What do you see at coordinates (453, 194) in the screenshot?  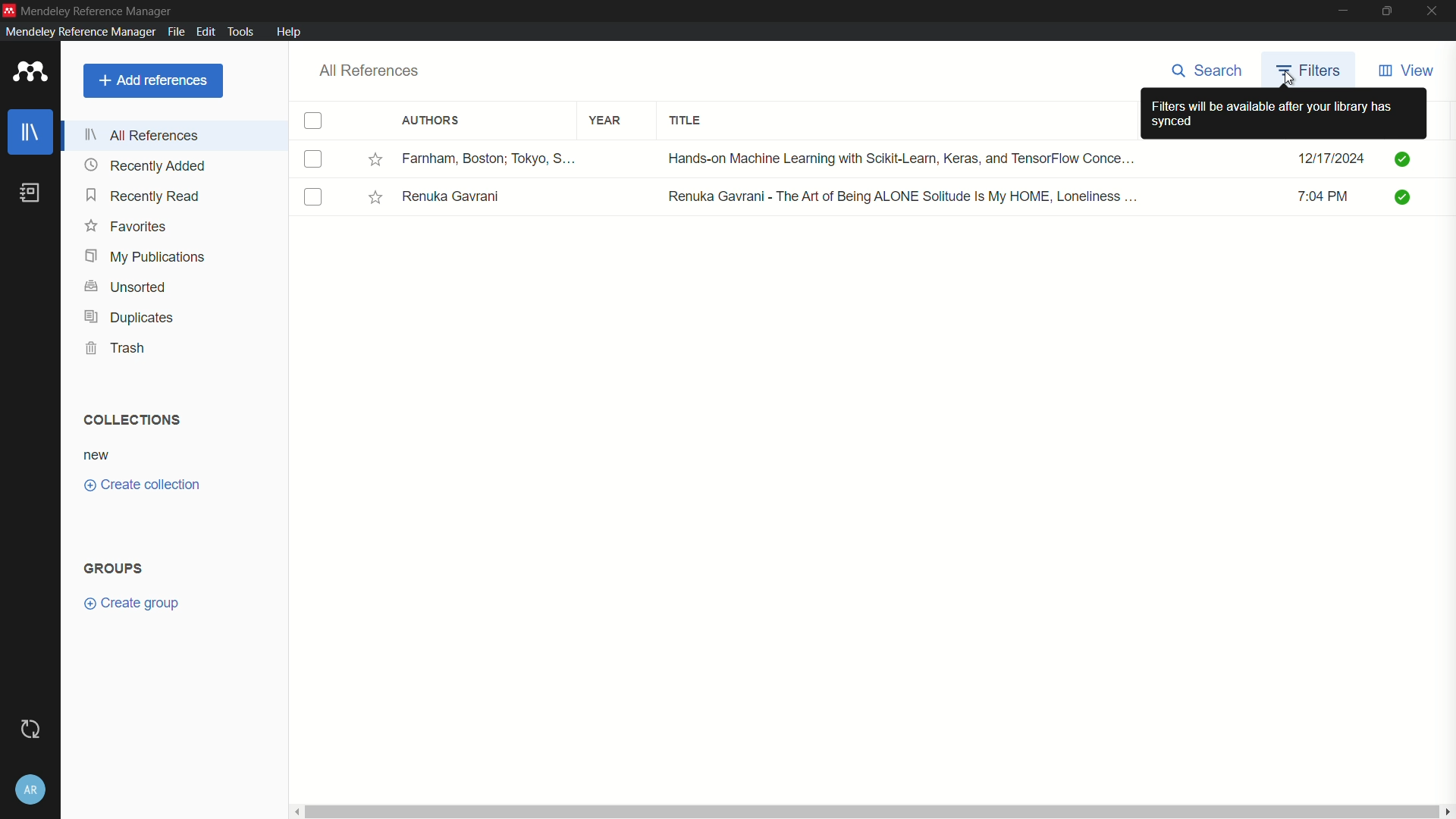 I see `Renuka Gavrani` at bounding box center [453, 194].